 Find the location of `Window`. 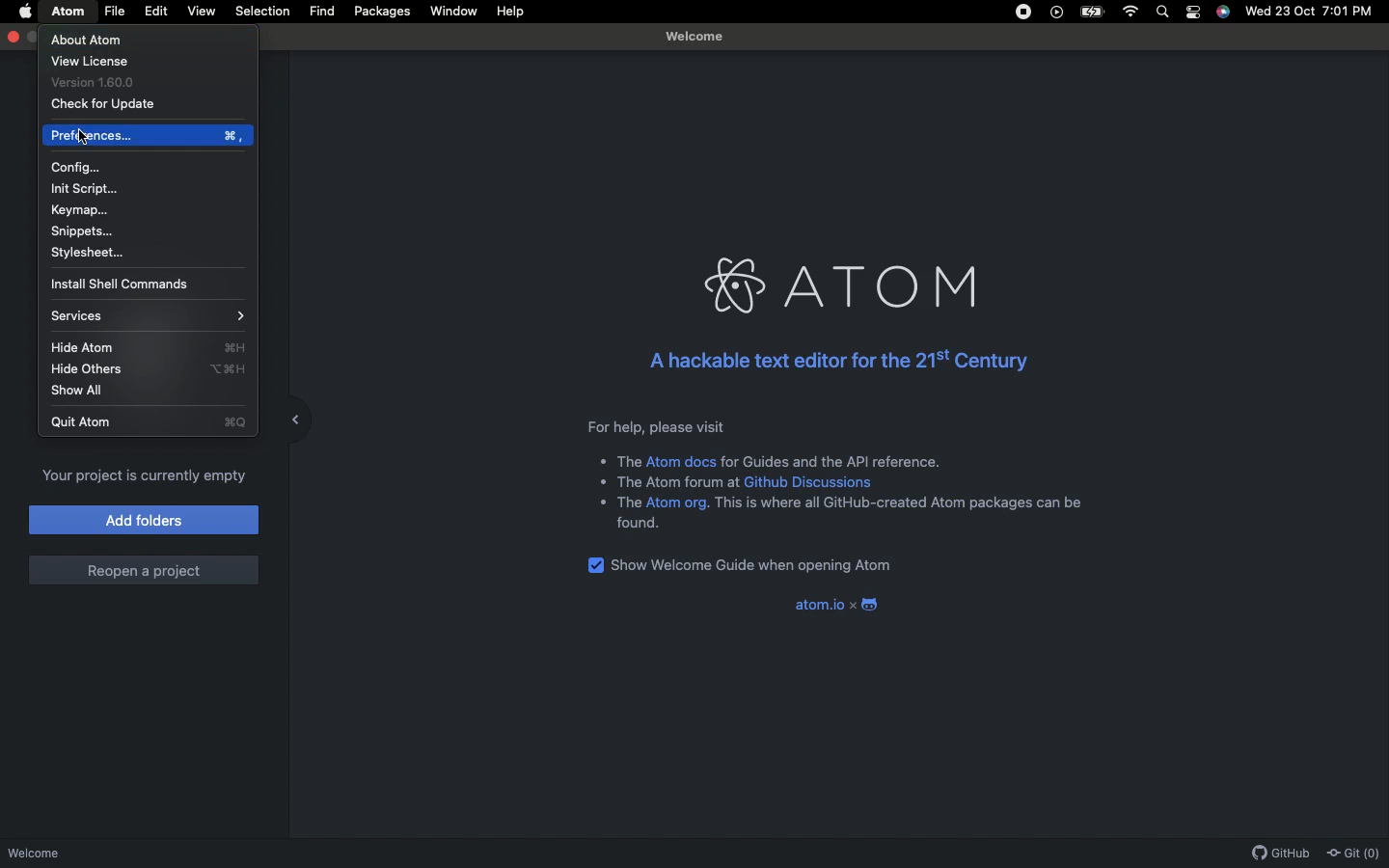

Window is located at coordinates (452, 11).